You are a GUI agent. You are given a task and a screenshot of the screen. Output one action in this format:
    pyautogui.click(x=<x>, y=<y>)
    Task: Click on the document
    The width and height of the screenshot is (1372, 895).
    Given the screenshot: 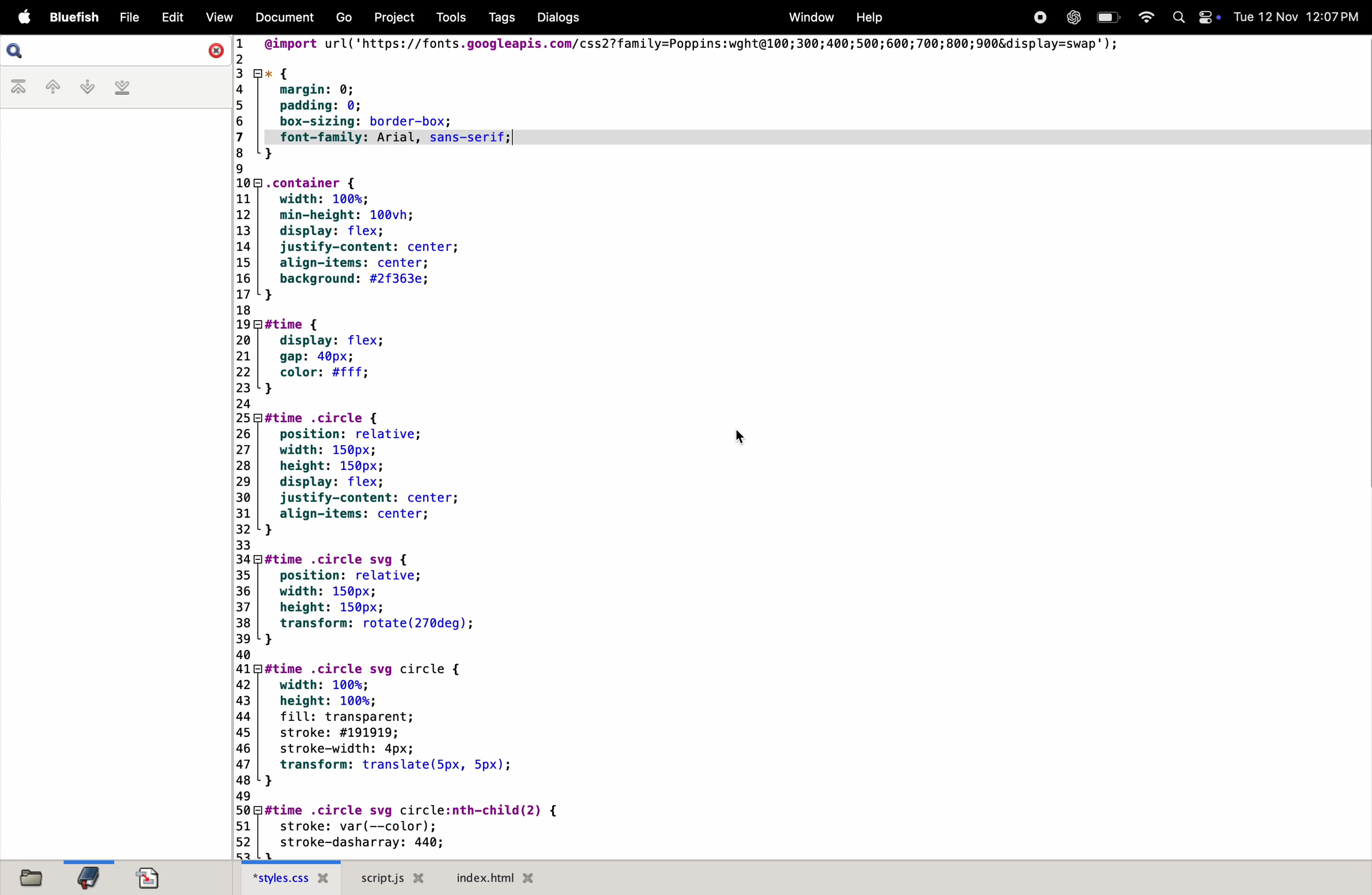 What is the action you would take?
    pyautogui.click(x=284, y=19)
    